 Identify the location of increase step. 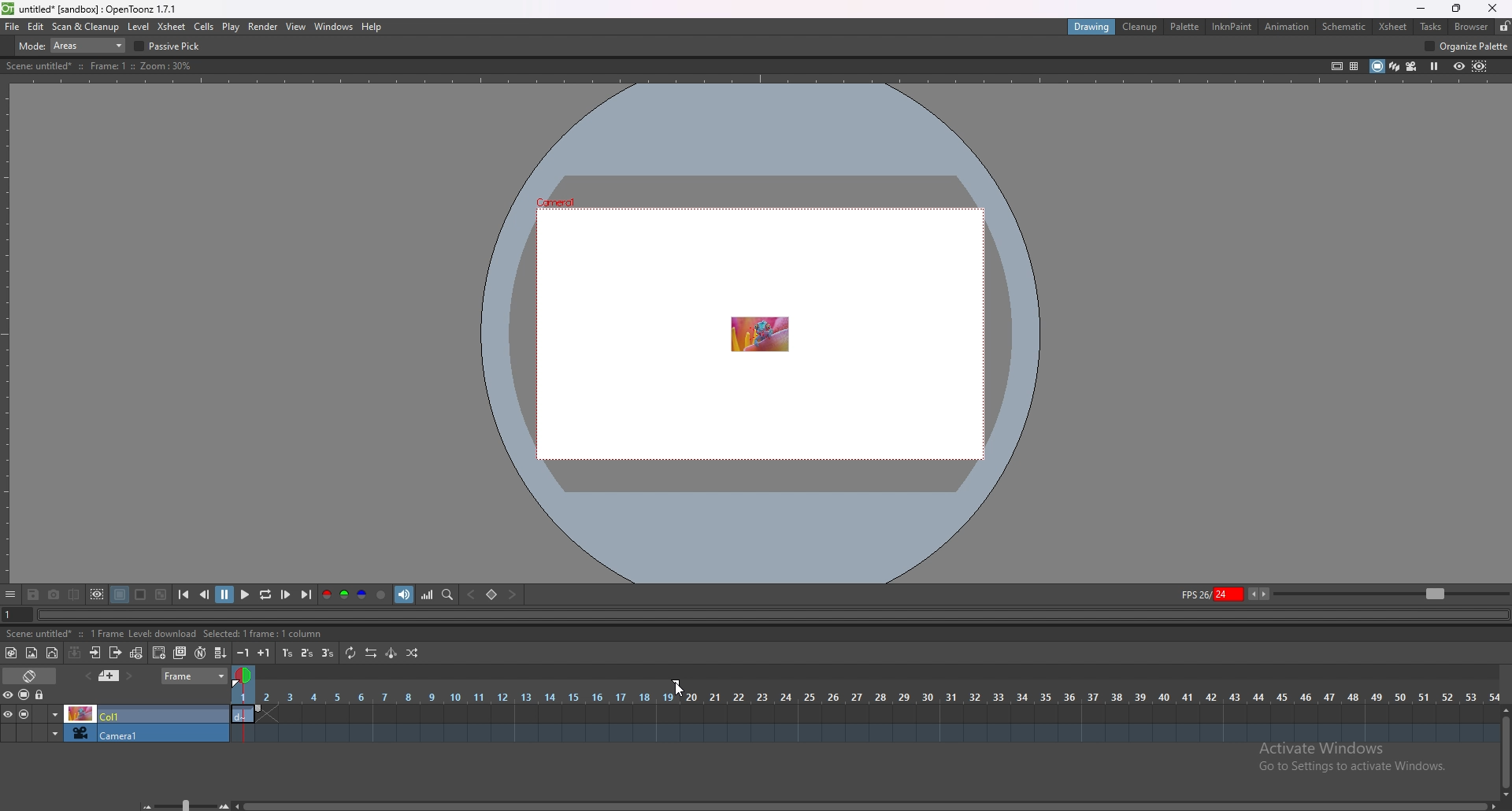
(264, 653).